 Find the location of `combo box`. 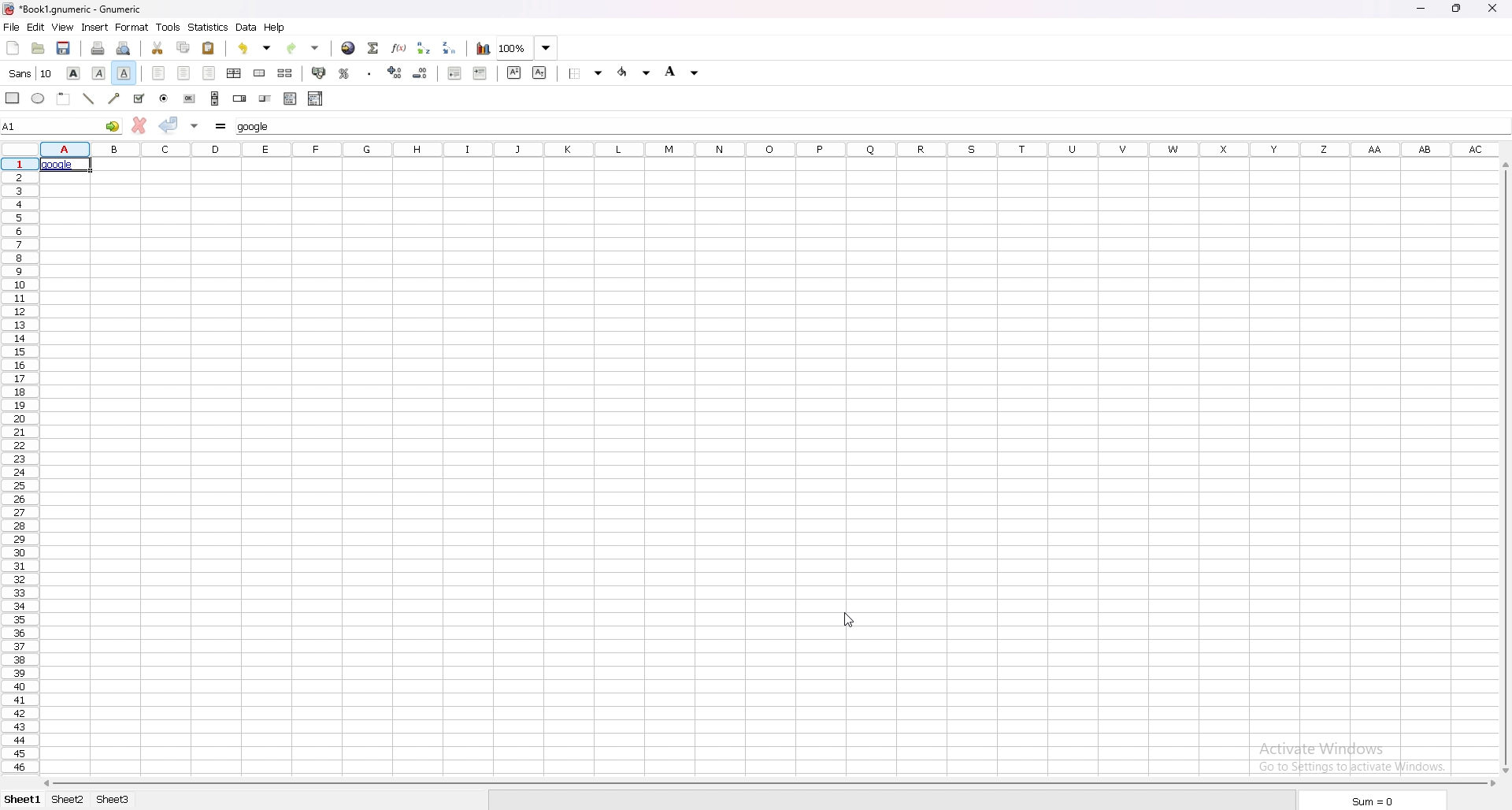

combo box is located at coordinates (315, 98).